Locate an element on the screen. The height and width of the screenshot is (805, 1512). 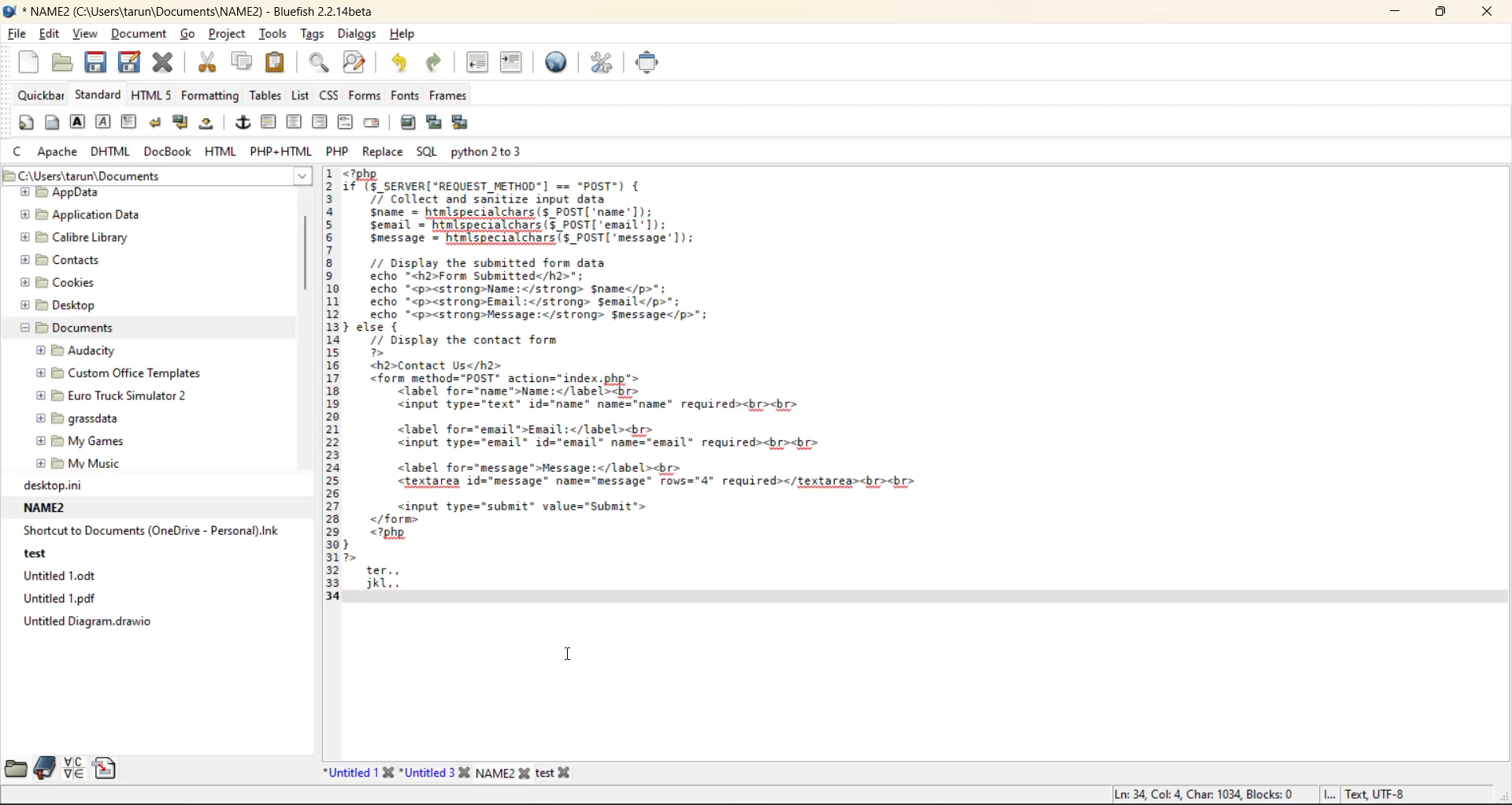
Untitled 1 is located at coordinates (356, 770).